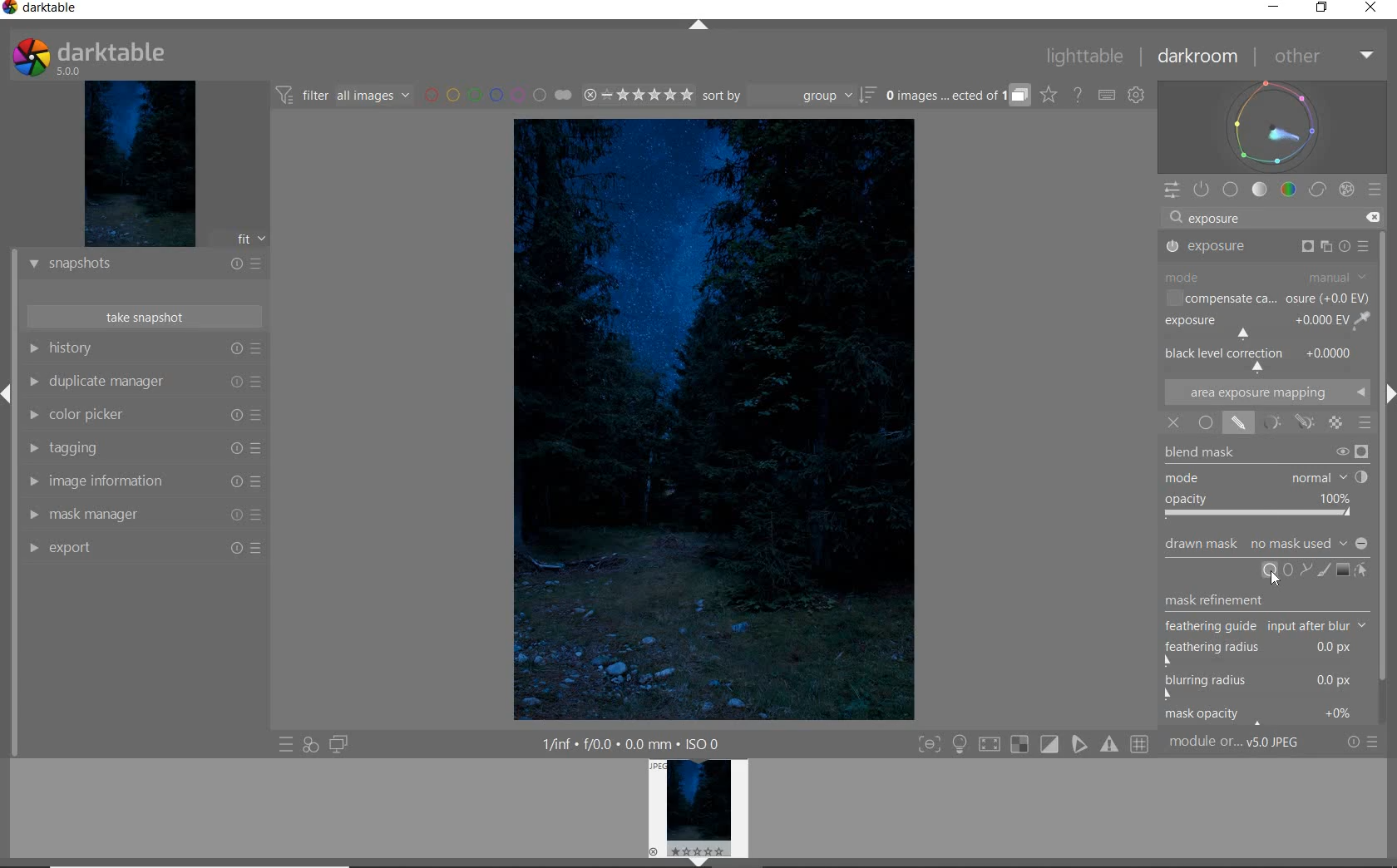  Describe the element at coordinates (1231, 189) in the screenshot. I see `BASE` at that location.